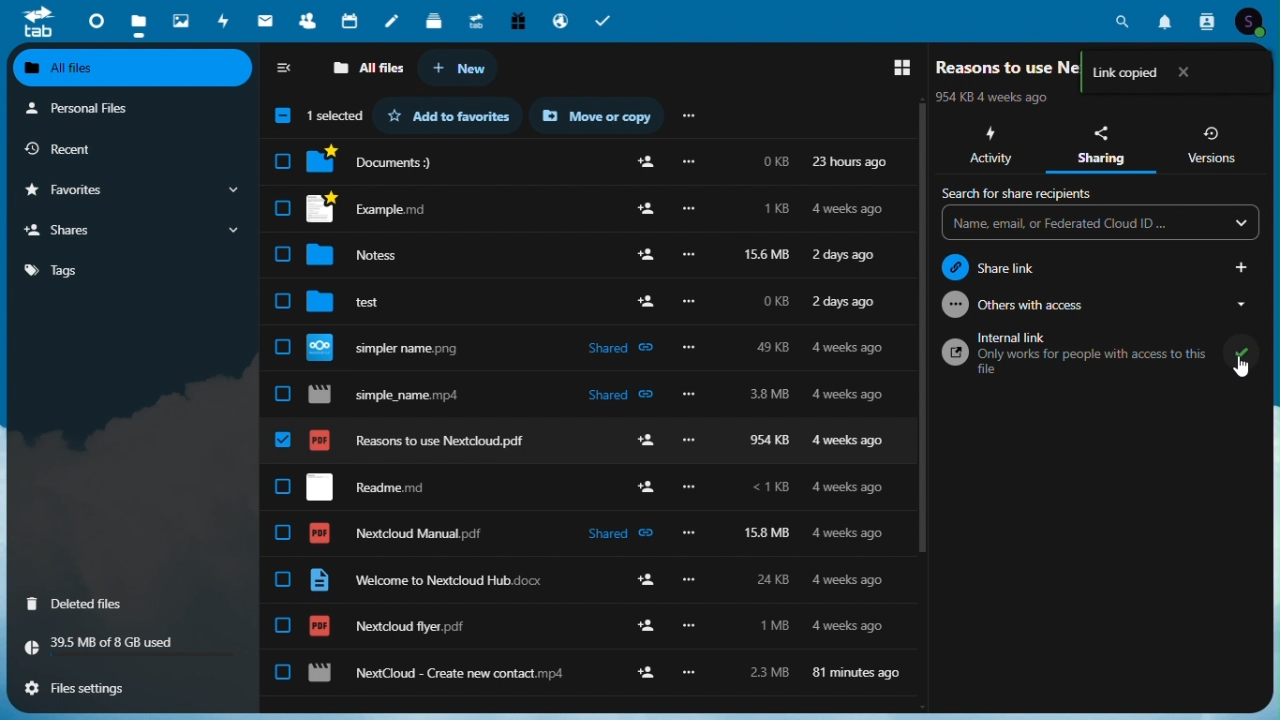 Image resolution: width=1280 pixels, height=720 pixels. I want to click on cursor, so click(1243, 369).